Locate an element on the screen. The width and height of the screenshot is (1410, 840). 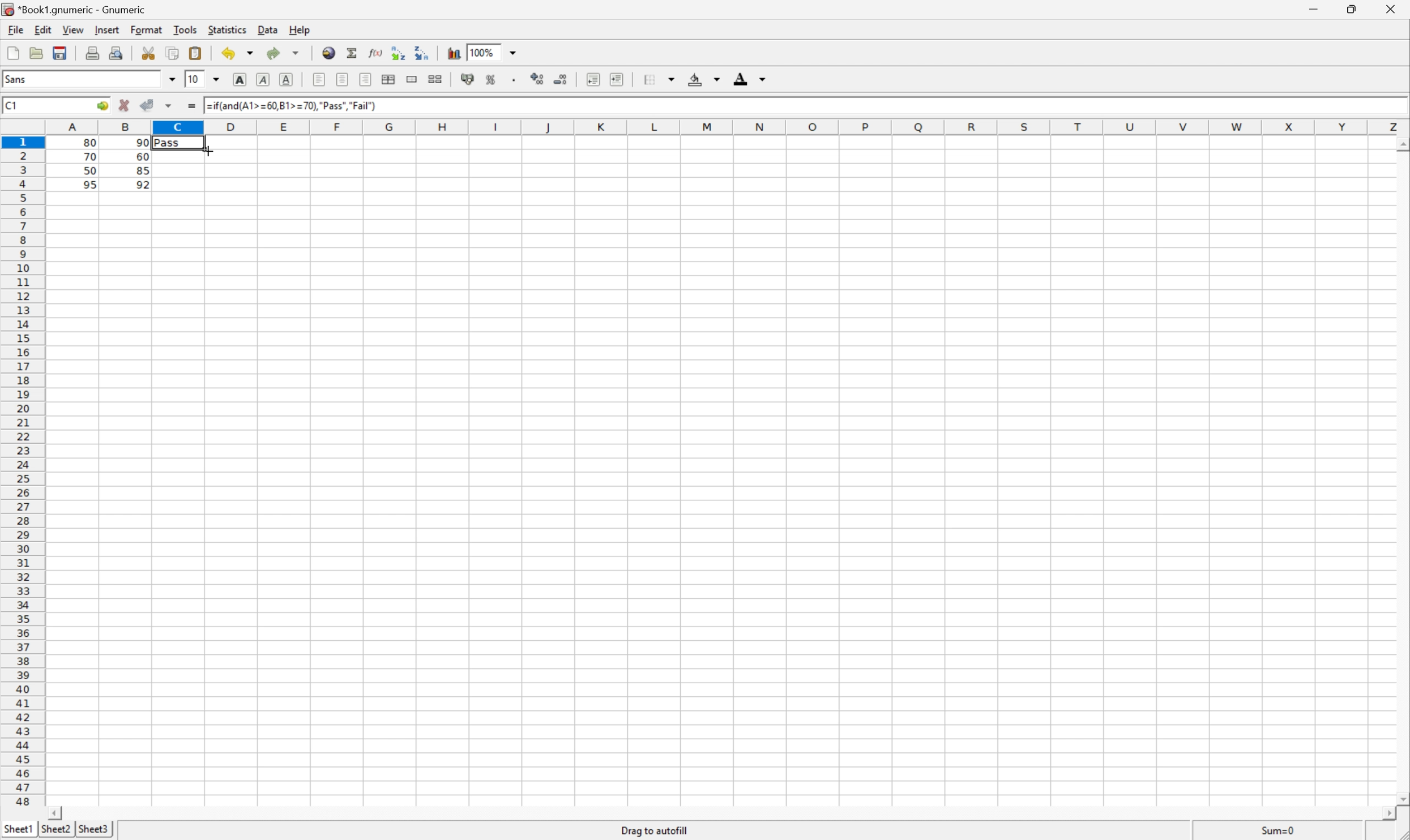
Center horizontally across selection is located at coordinates (391, 78).